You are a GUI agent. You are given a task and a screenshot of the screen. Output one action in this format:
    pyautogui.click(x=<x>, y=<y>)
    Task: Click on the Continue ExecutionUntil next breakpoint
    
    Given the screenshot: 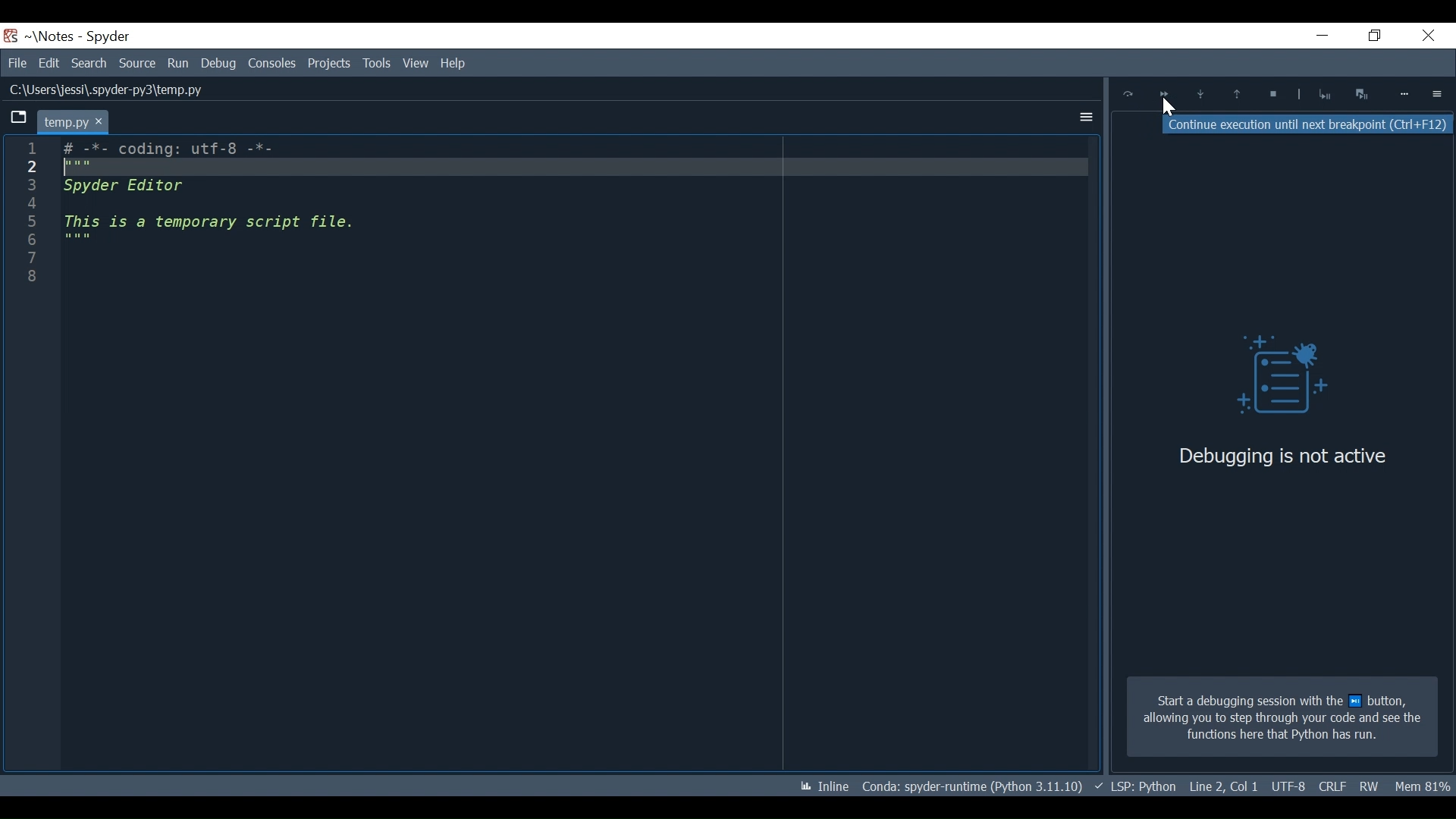 What is the action you would take?
    pyautogui.click(x=1163, y=96)
    